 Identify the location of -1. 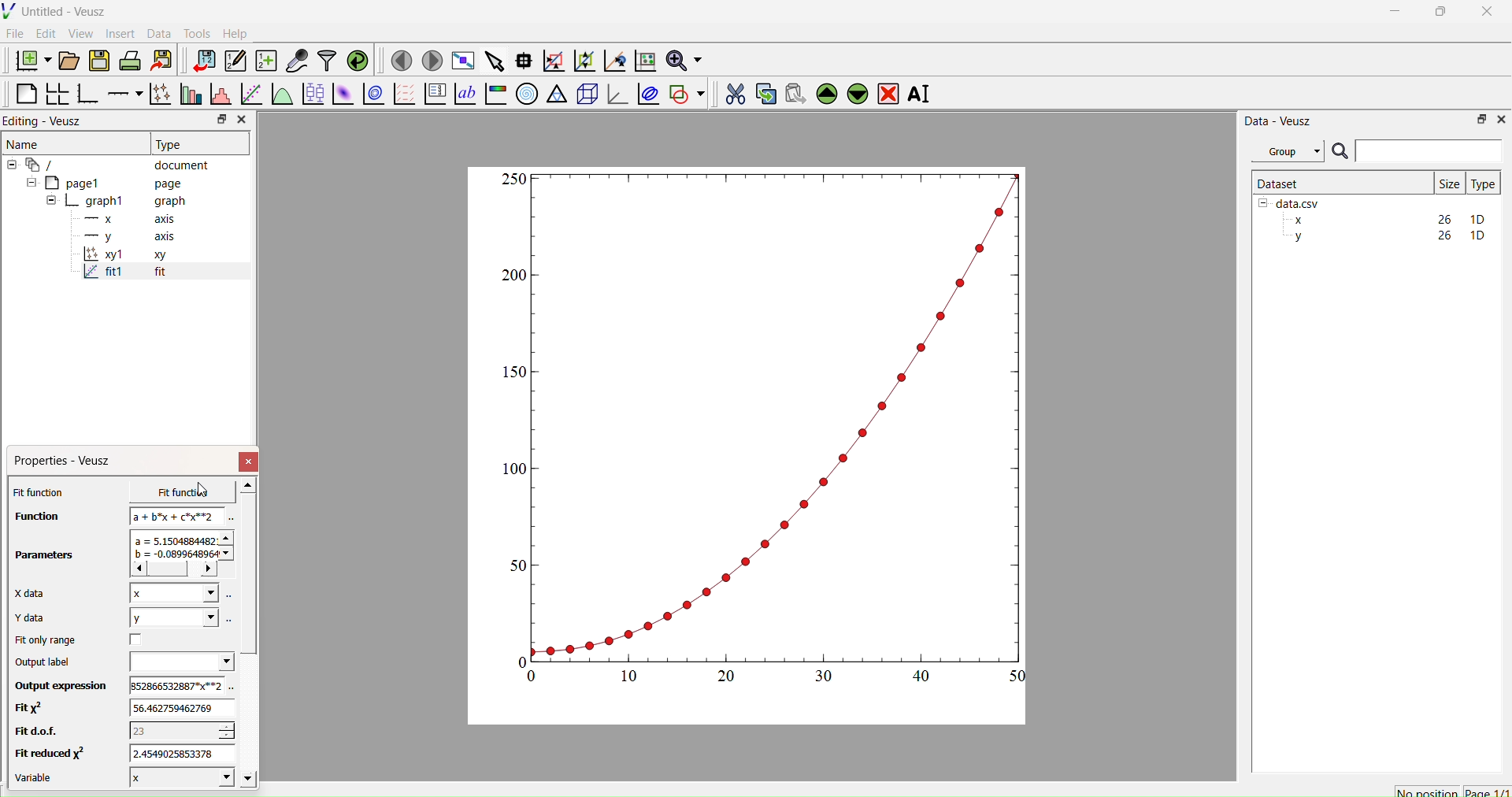
(176, 730).